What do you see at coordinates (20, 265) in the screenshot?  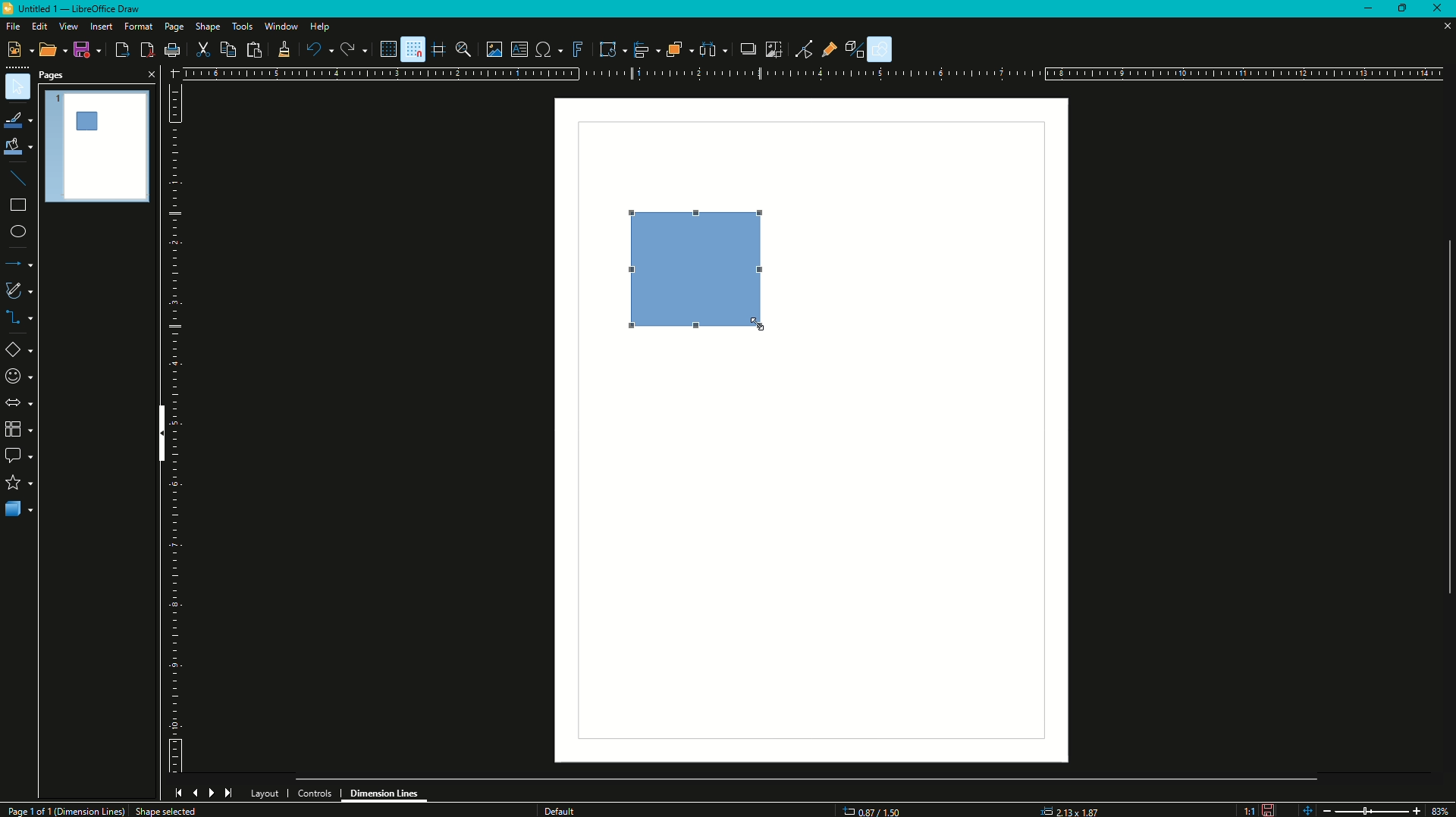 I see `Lines and Arrows` at bounding box center [20, 265].